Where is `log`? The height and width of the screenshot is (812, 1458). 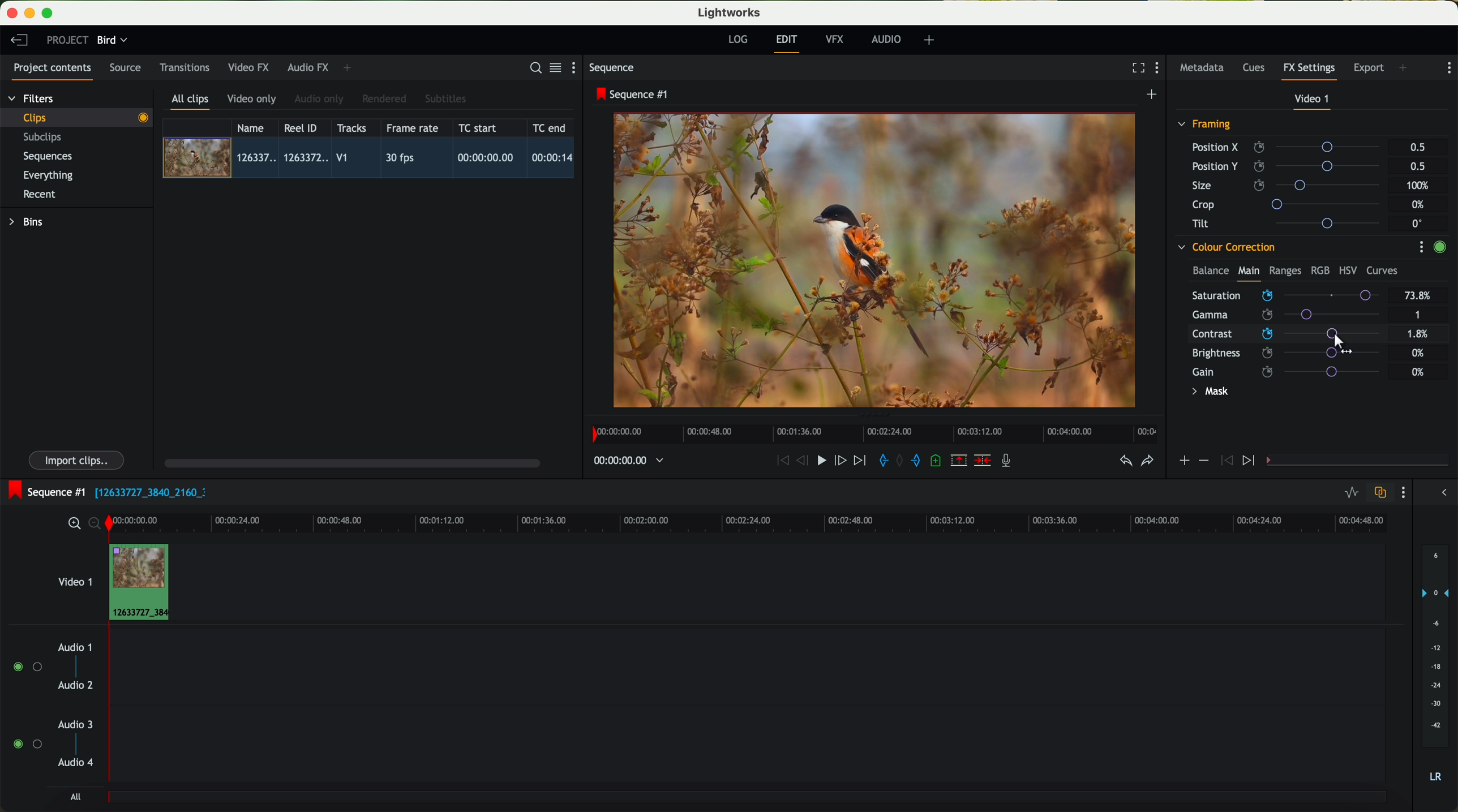
log is located at coordinates (737, 40).